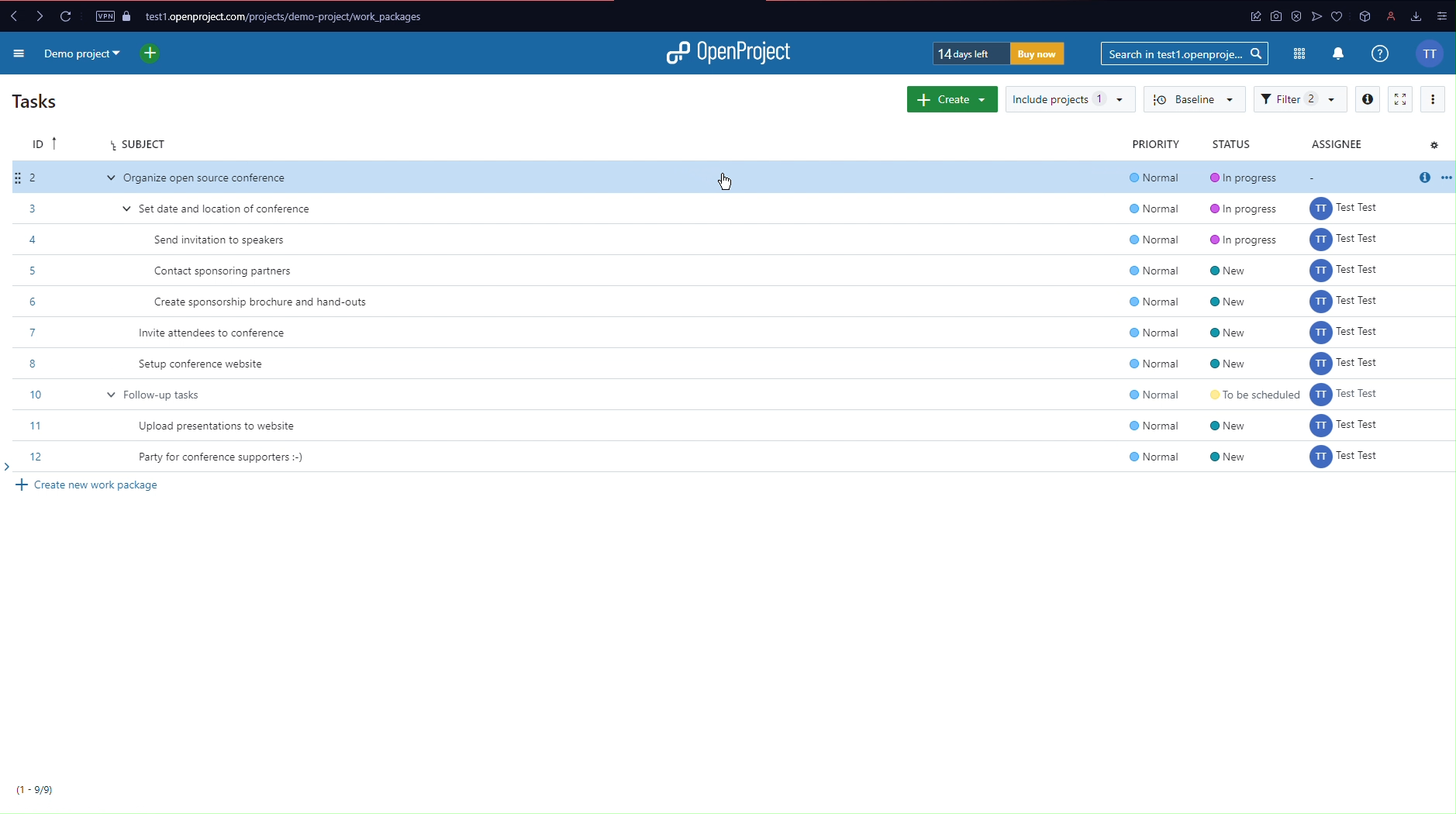 This screenshot has height=814, width=1456. What do you see at coordinates (206, 364) in the screenshot?
I see `Setup conference website` at bounding box center [206, 364].